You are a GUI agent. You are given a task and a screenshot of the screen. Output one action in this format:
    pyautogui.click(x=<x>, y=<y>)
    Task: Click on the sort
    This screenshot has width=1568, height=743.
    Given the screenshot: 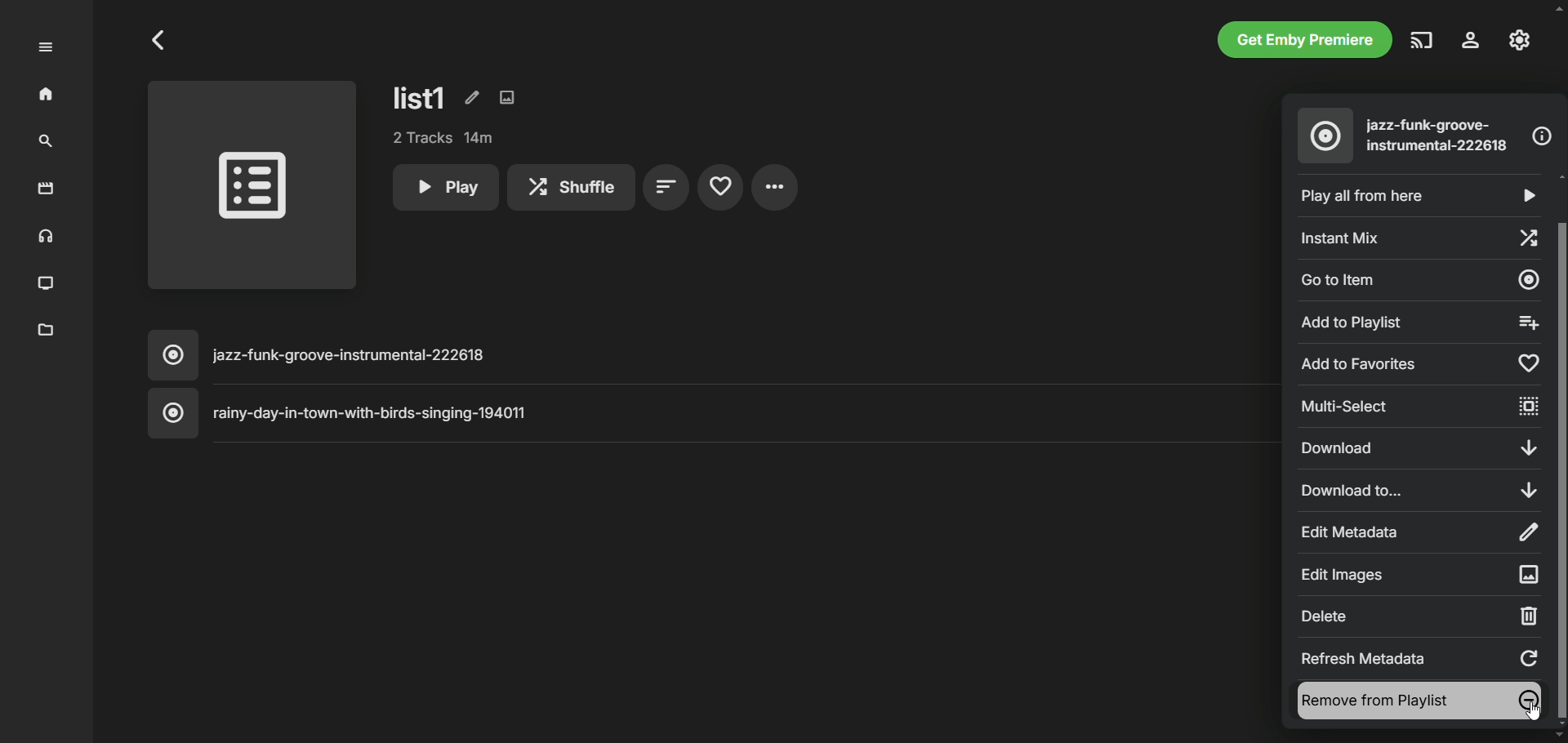 What is the action you would take?
    pyautogui.click(x=666, y=188)
    